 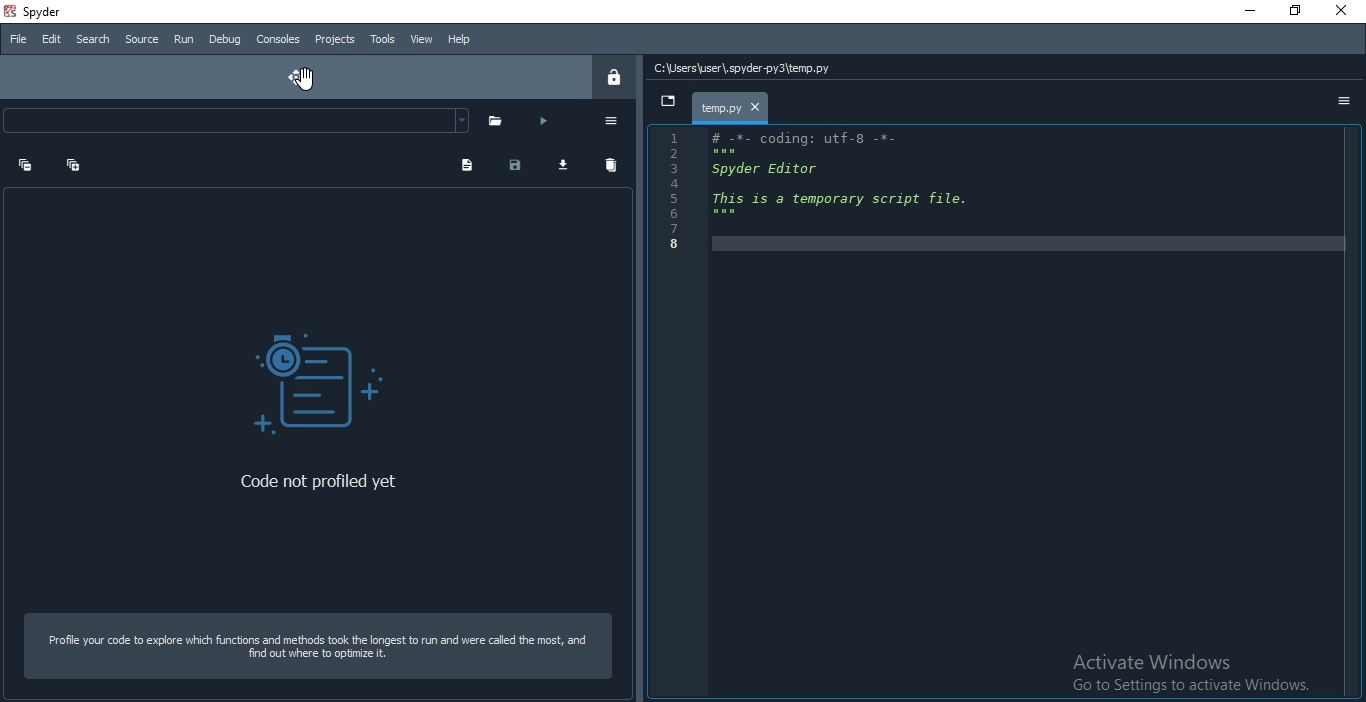 What do you see at coordinates (43, 11) in the screenshot?
I see `spyder` at bounding box center [43, 11].